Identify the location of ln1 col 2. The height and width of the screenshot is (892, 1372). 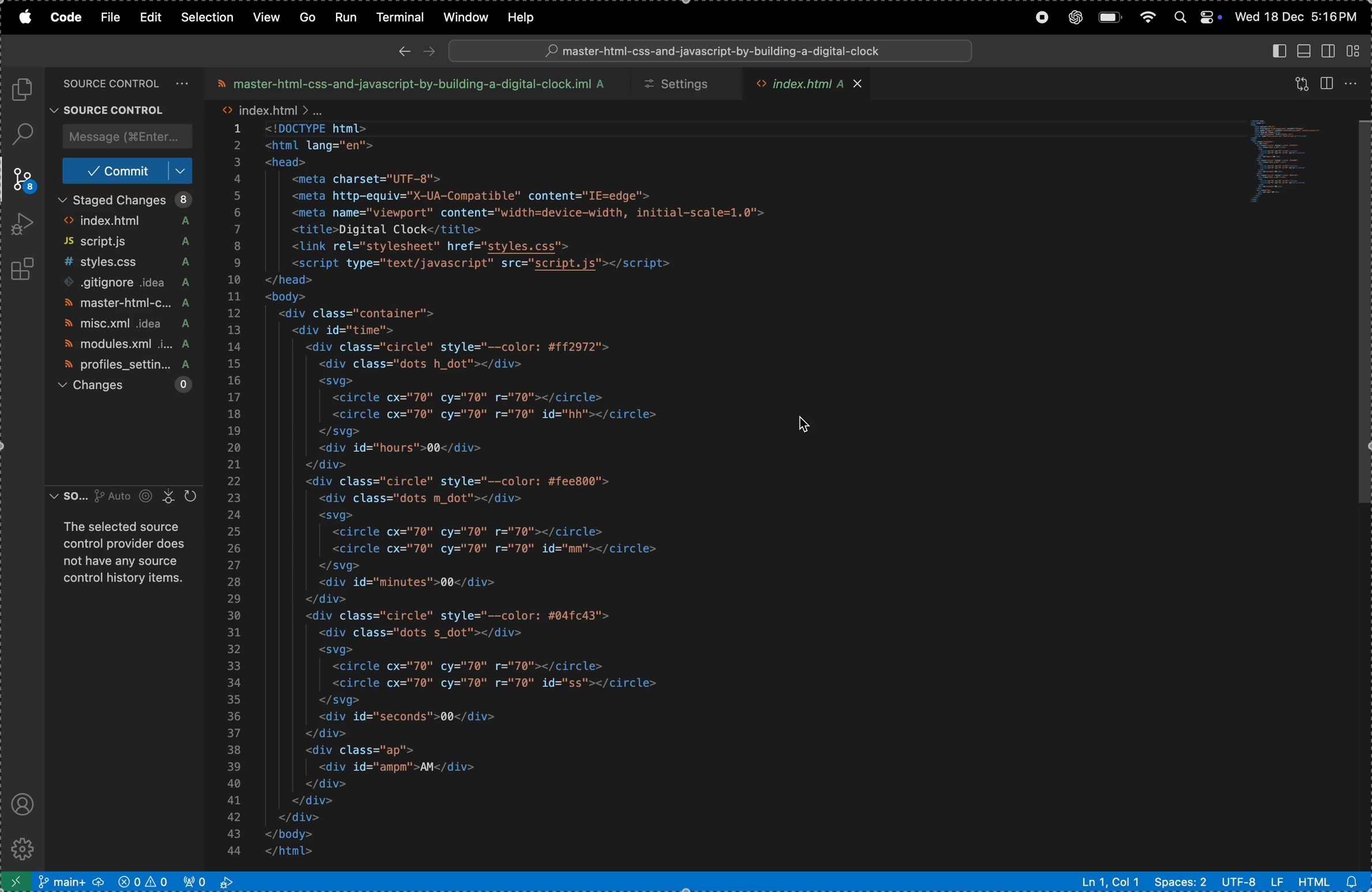
(1110, 882).